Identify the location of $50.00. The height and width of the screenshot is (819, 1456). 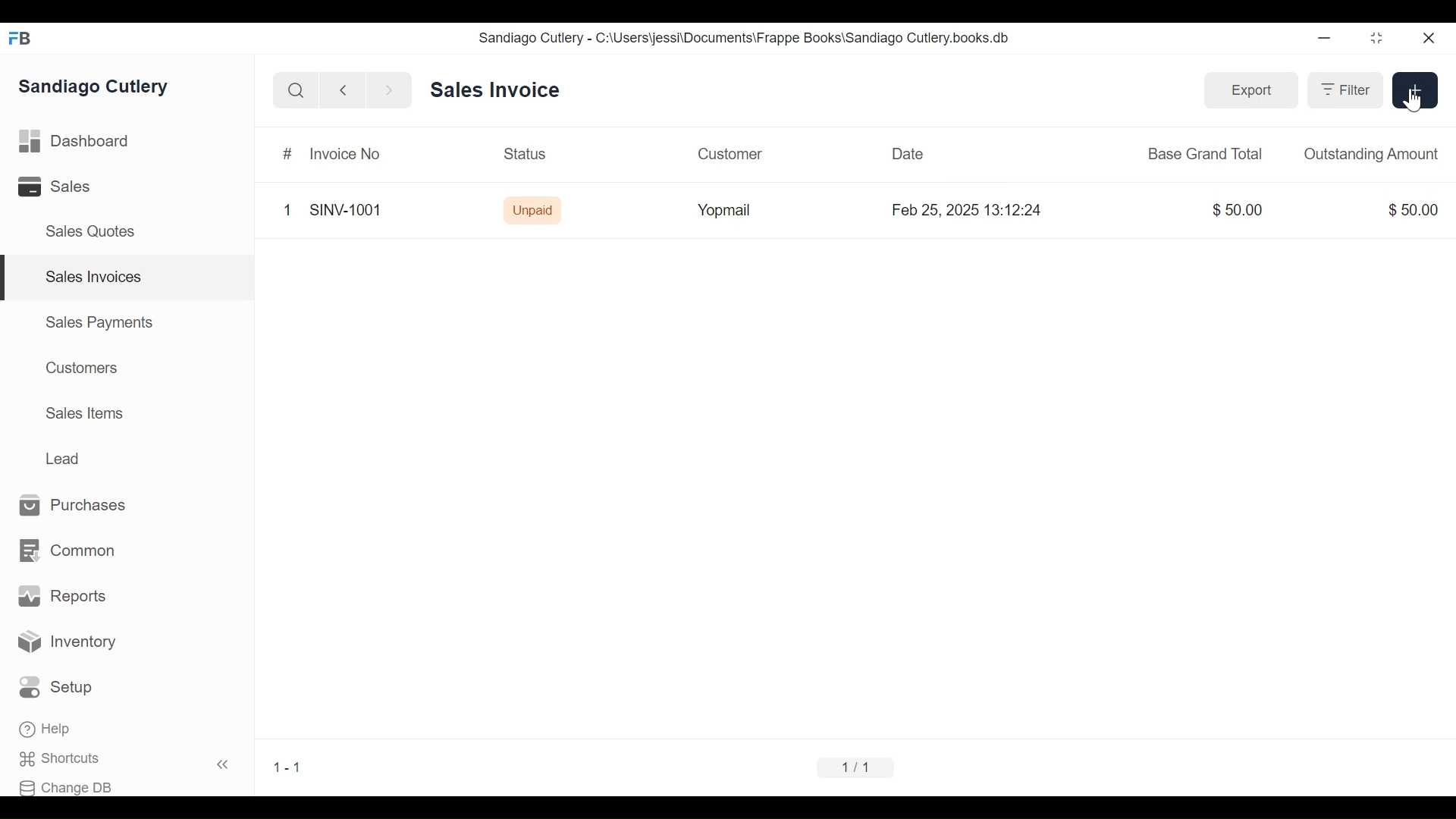
(1241, 210).